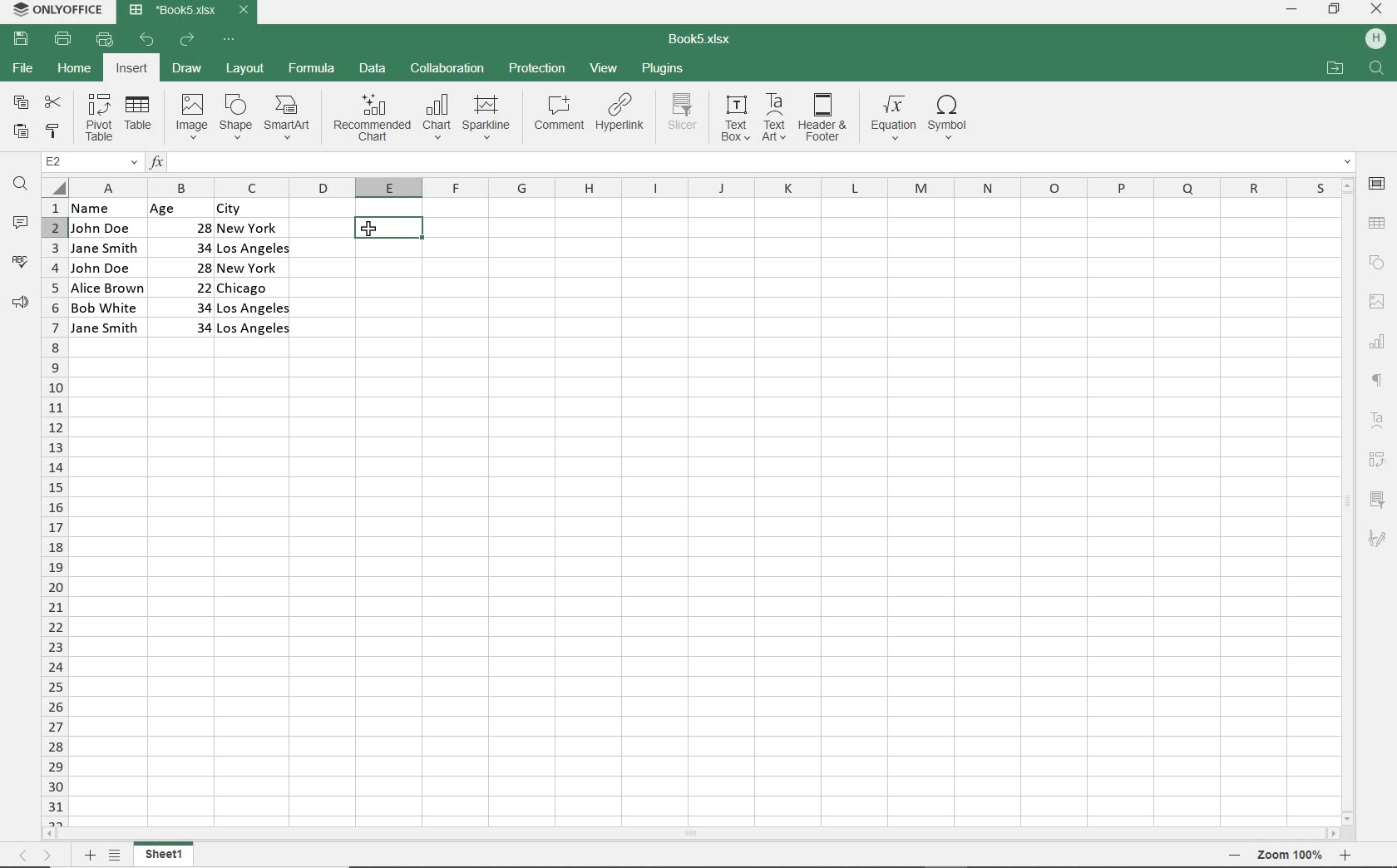 The width and height of the screenshot is (1397, 868). I want to click on COLLABORATION, so click(447, 71).